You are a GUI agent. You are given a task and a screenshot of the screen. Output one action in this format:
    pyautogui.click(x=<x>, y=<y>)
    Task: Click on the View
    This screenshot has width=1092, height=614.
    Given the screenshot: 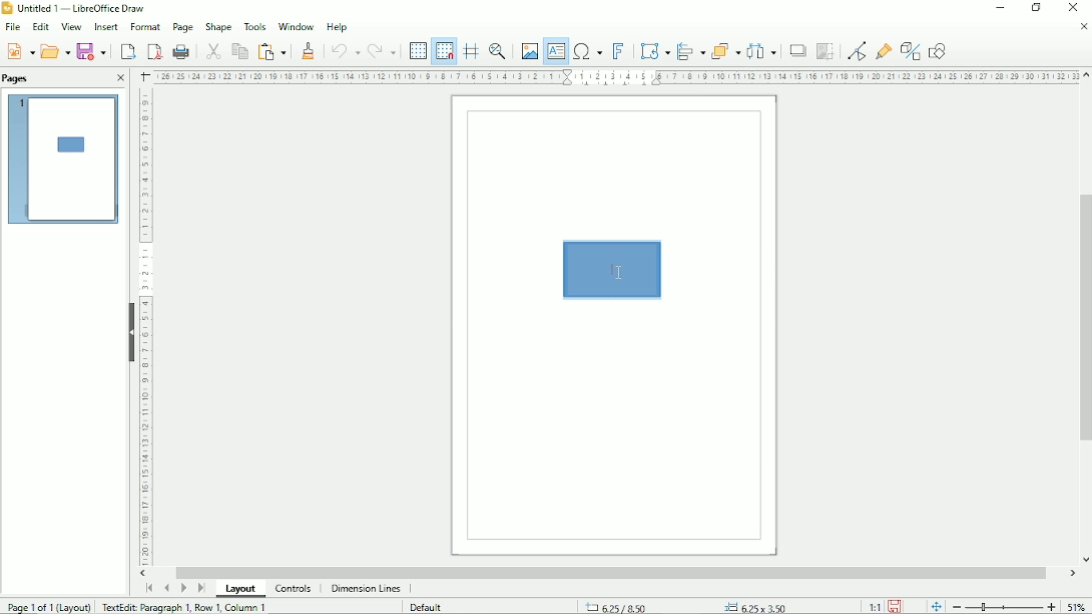 What is the action you would take?
    pyautogui.click(x=70, y=25)
    